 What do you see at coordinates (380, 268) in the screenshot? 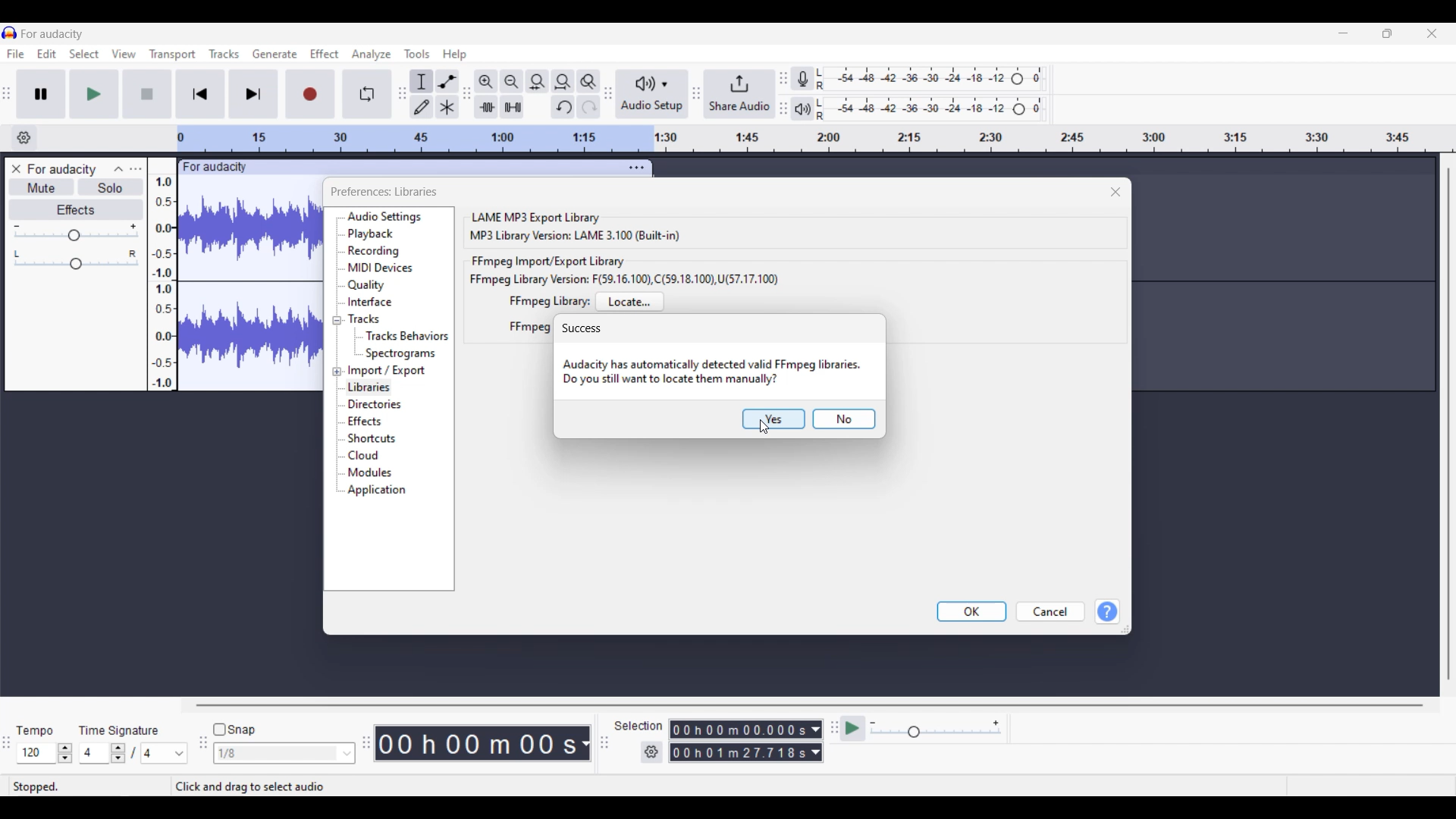
I see `MIDI devices` at bounding box center [380, 268].